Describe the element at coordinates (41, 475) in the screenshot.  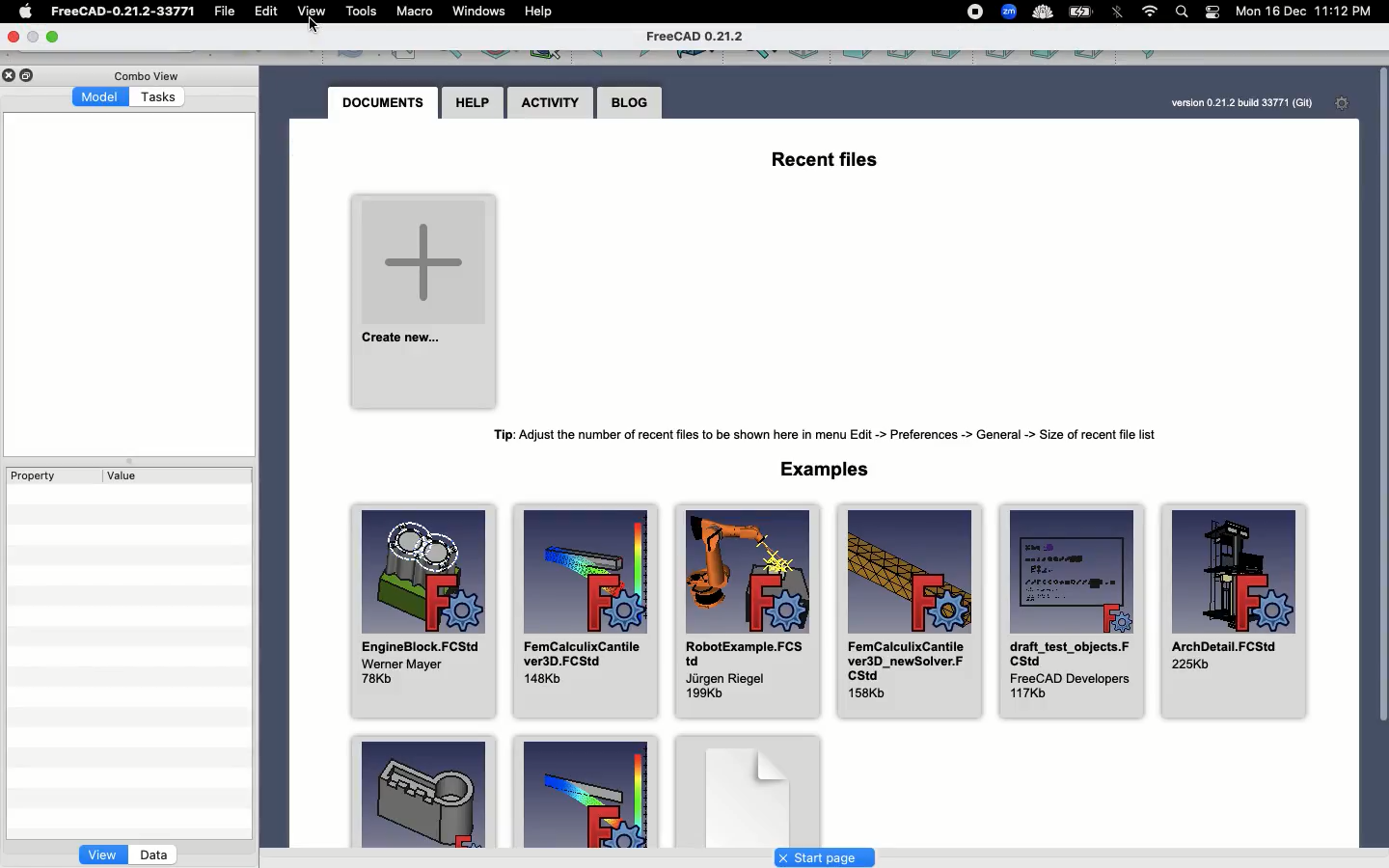
I see `Property ` at that location.